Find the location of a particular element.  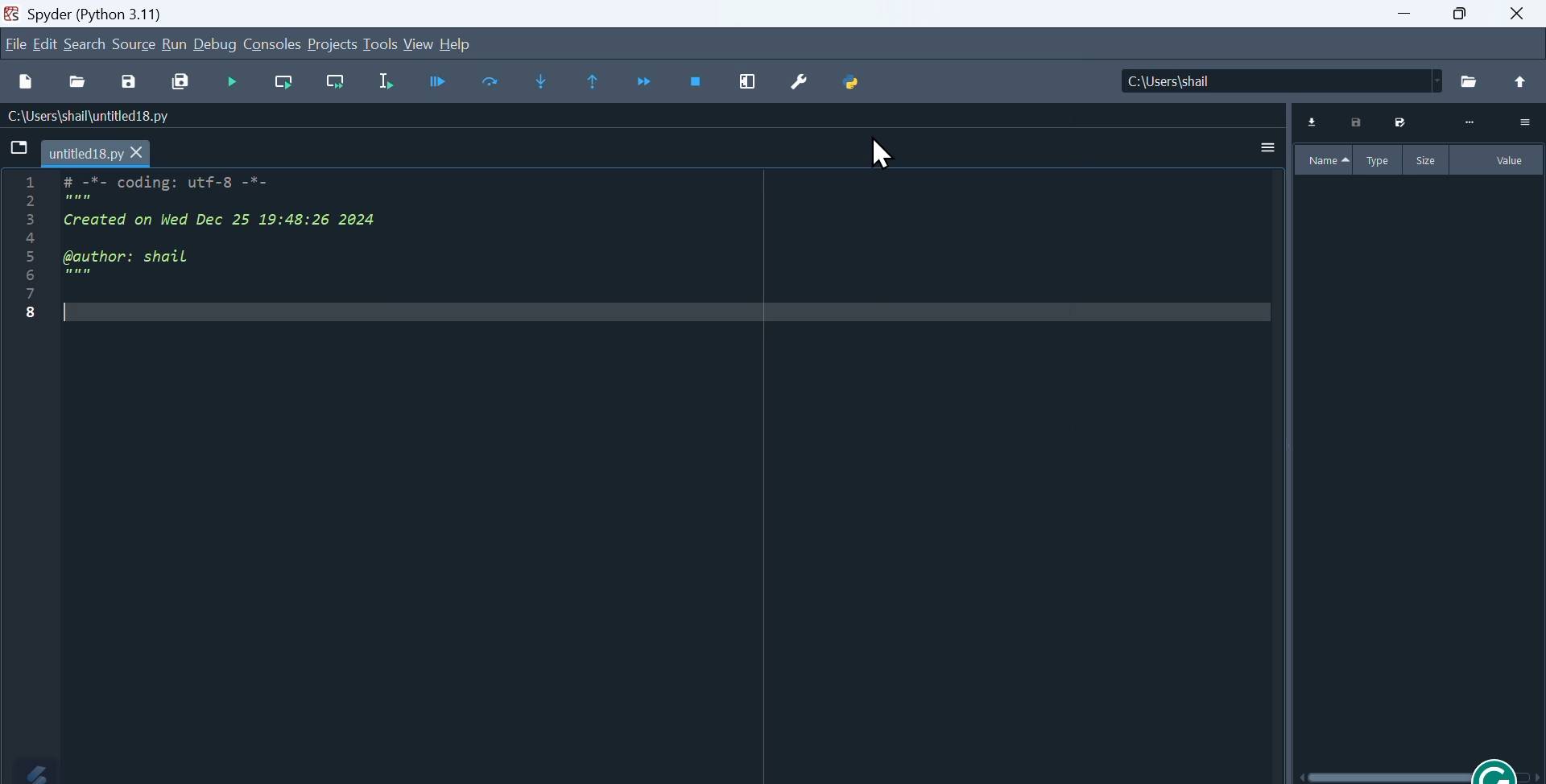

Projects is located at coordinates (333, 42).